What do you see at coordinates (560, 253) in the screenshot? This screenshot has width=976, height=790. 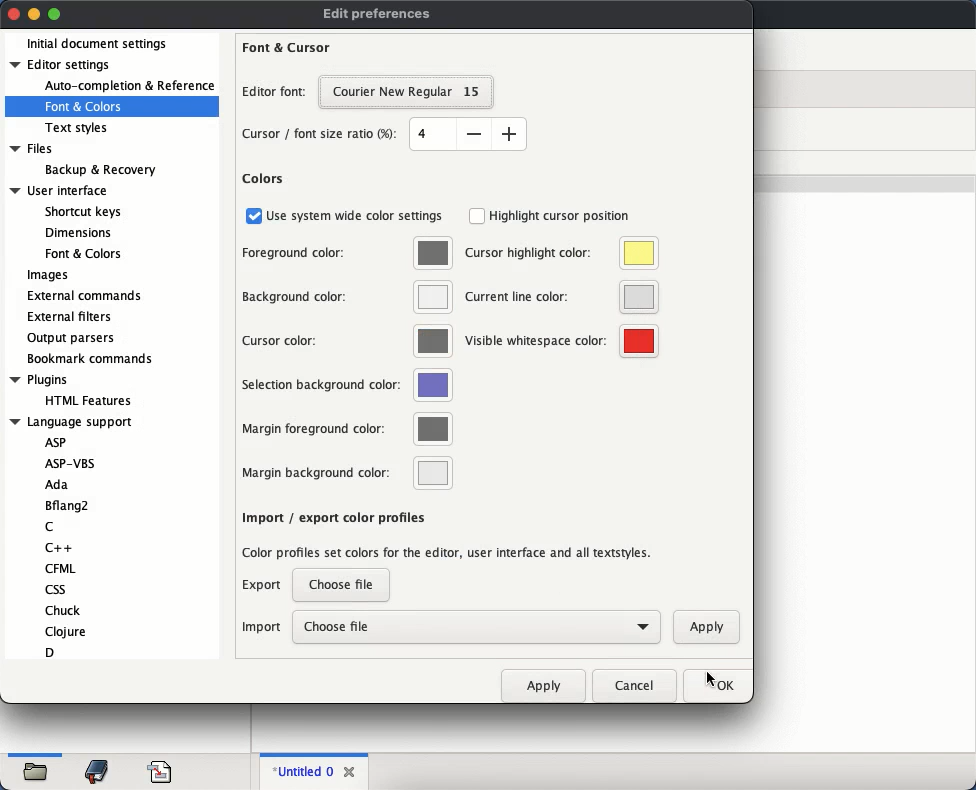 I see `cursor highlight color` at bounding box center [560, 253].